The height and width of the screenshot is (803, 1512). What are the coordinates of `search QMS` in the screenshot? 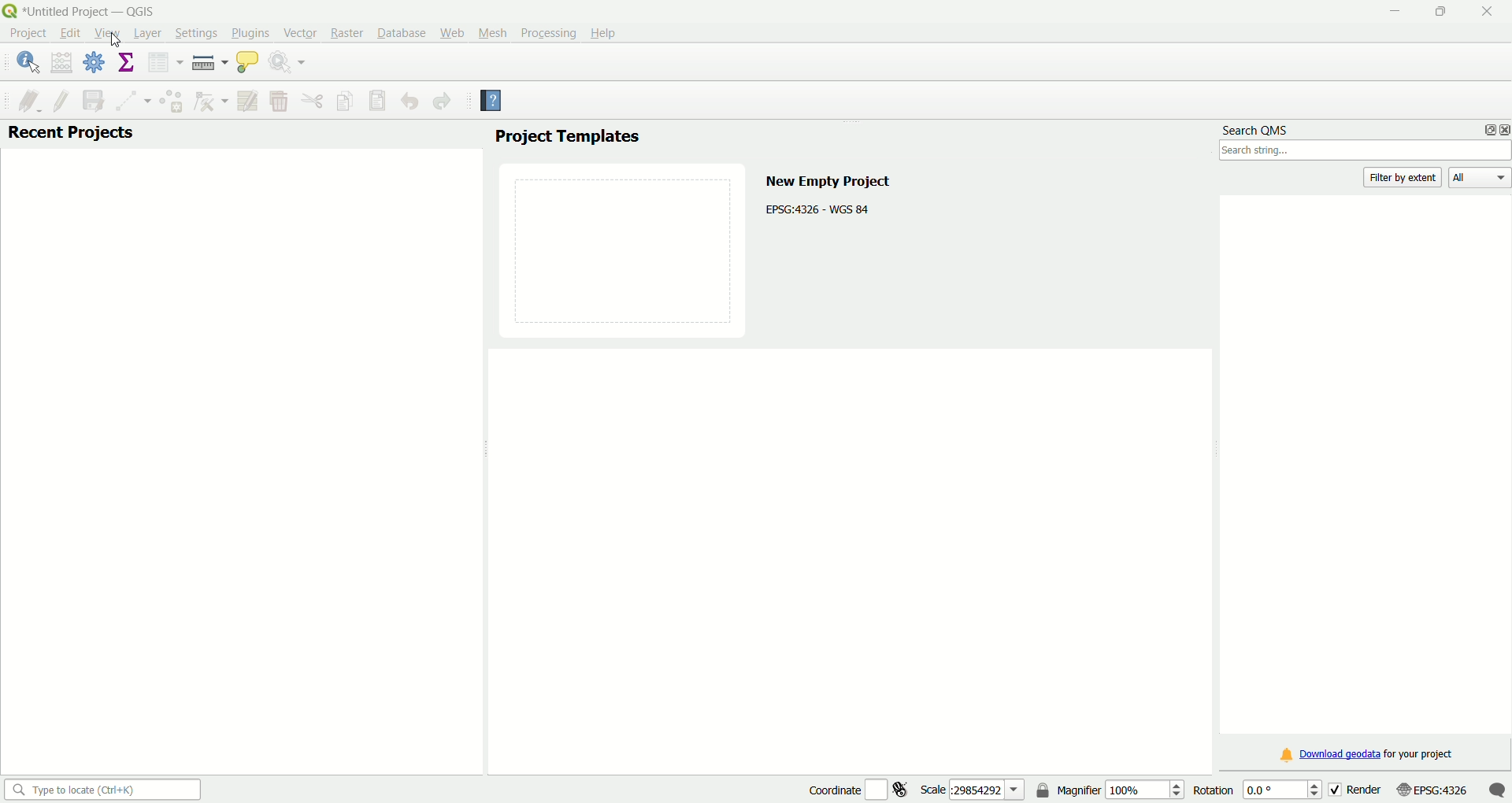 It's located at (1258, 127).